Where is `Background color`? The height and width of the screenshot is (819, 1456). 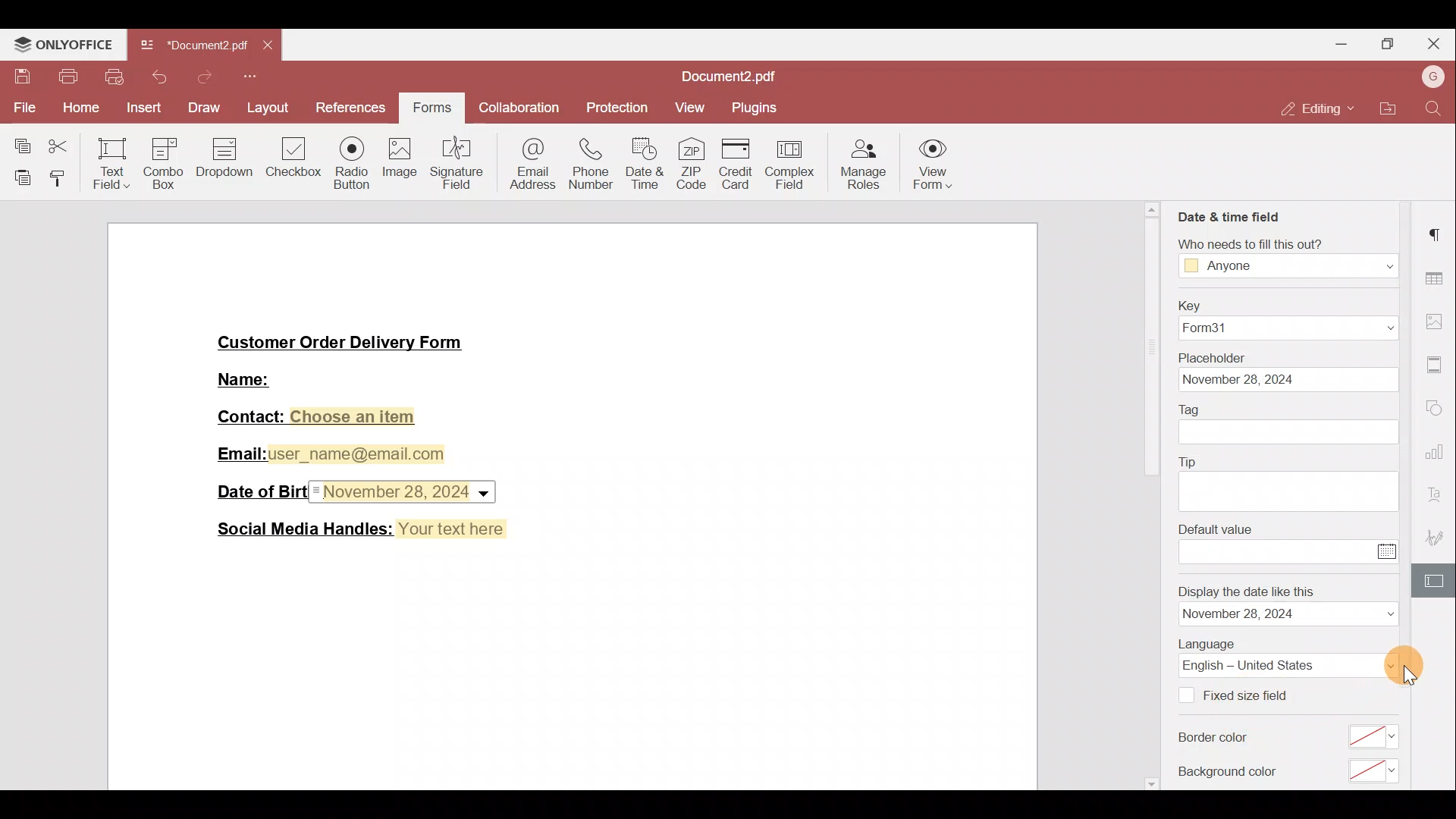 Background color is located at coordinates (1227, 770).